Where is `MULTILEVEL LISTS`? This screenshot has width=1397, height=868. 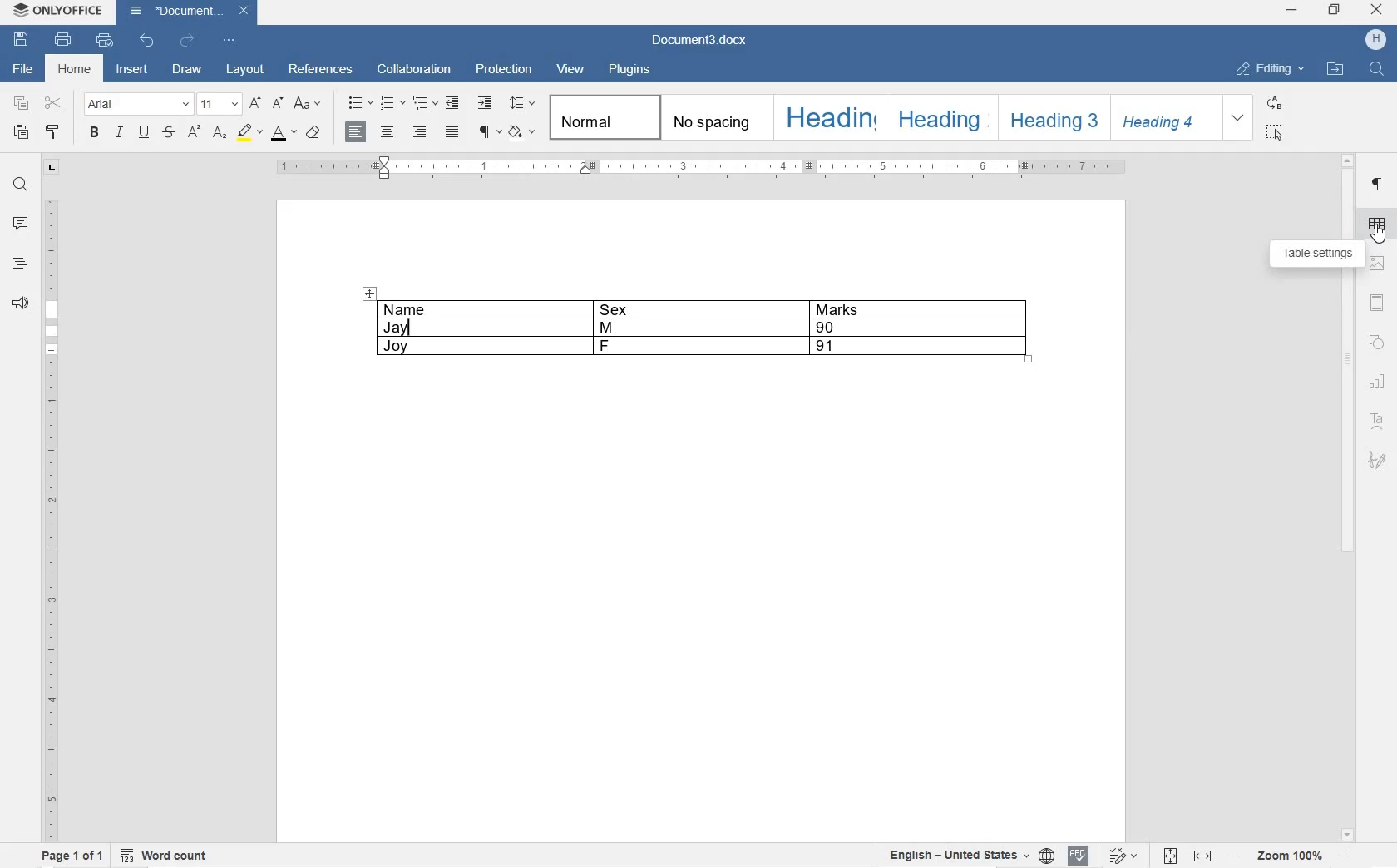
MULTILEVEL LISTS is located at coordinates (423, 101).